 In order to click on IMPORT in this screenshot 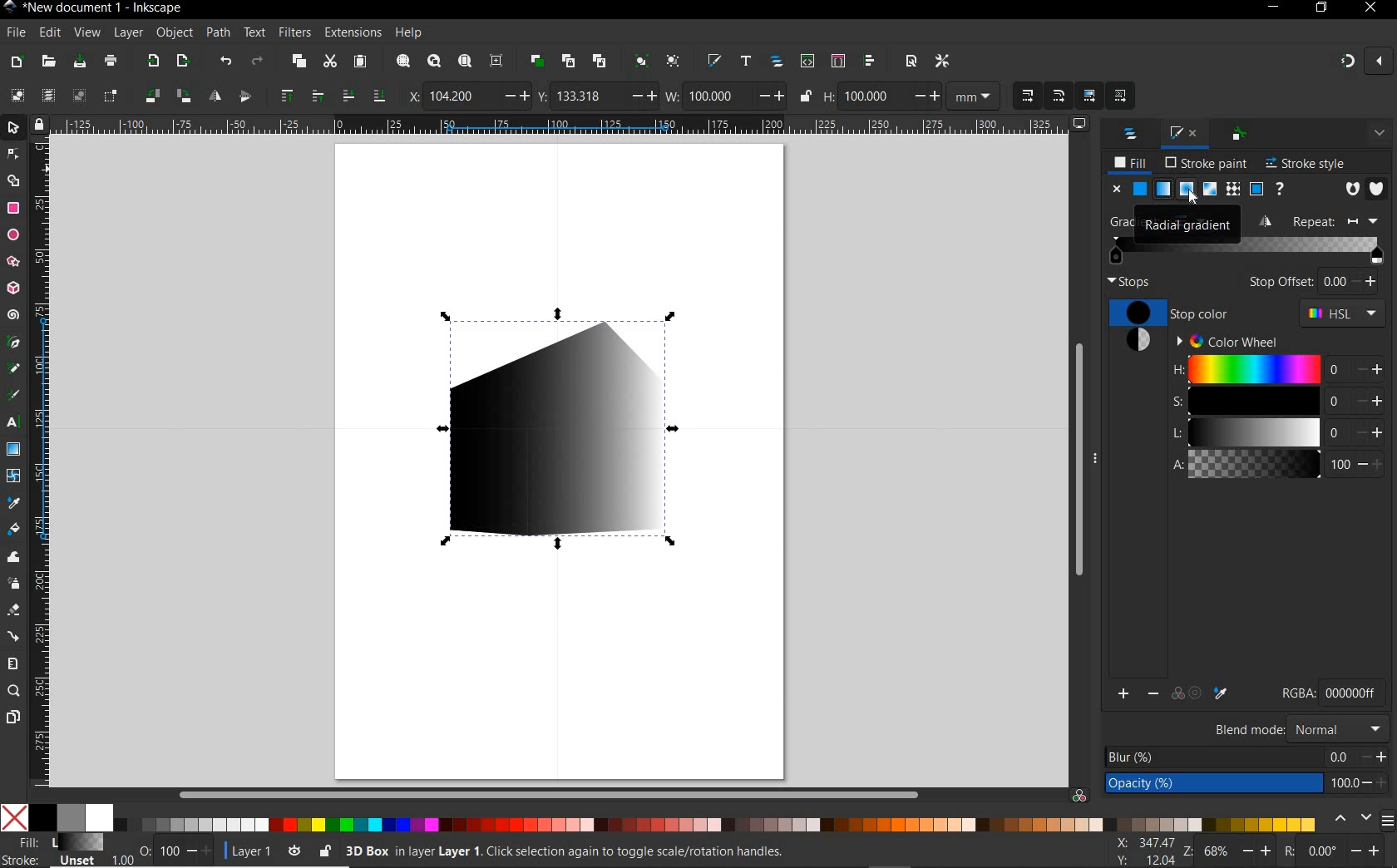, I will do `click(153, 62)`.